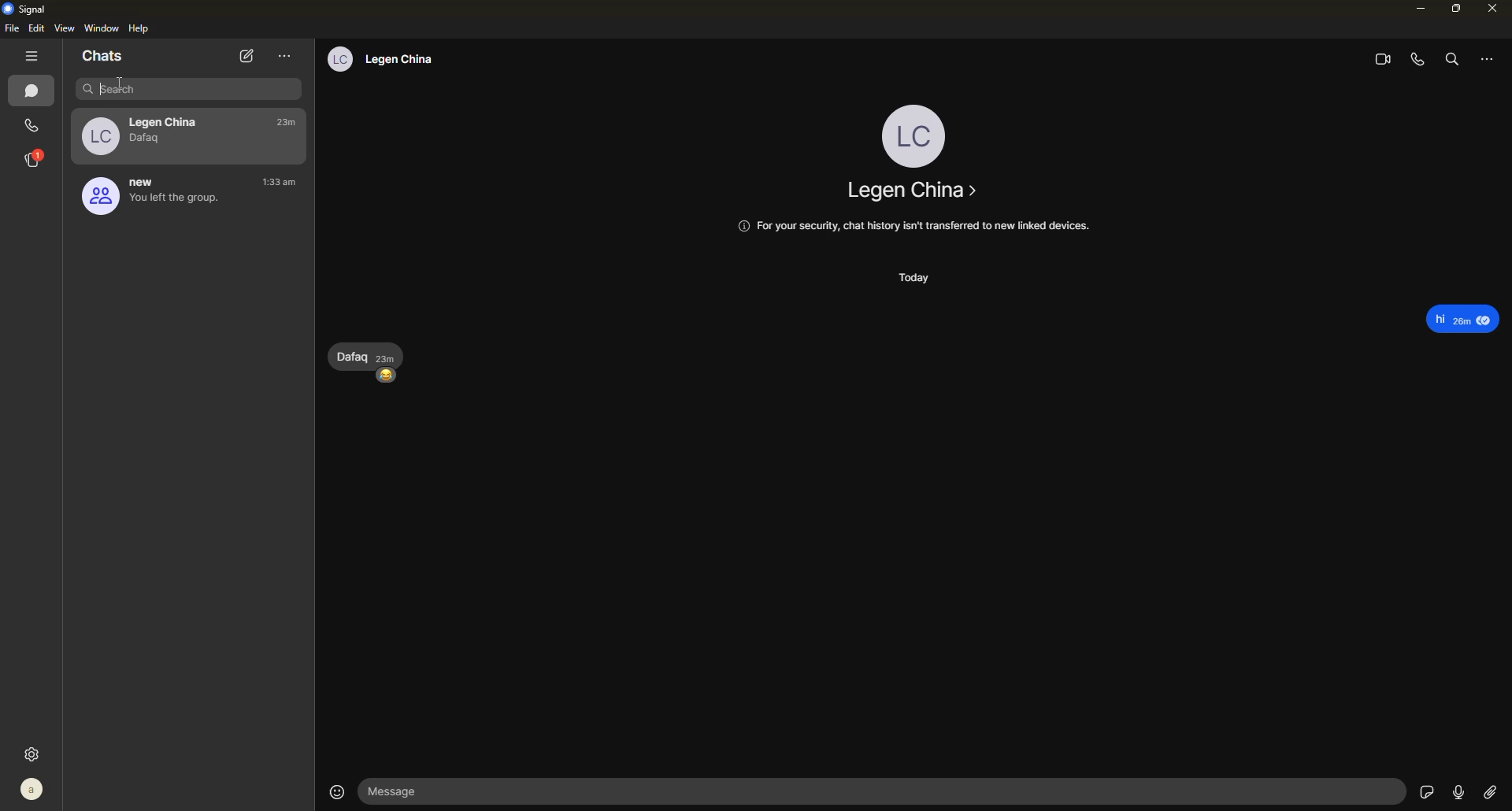  What do you see at coordinates (1498, 10) in the screenshot?
I see `close` at bounding box center [1498, 10].